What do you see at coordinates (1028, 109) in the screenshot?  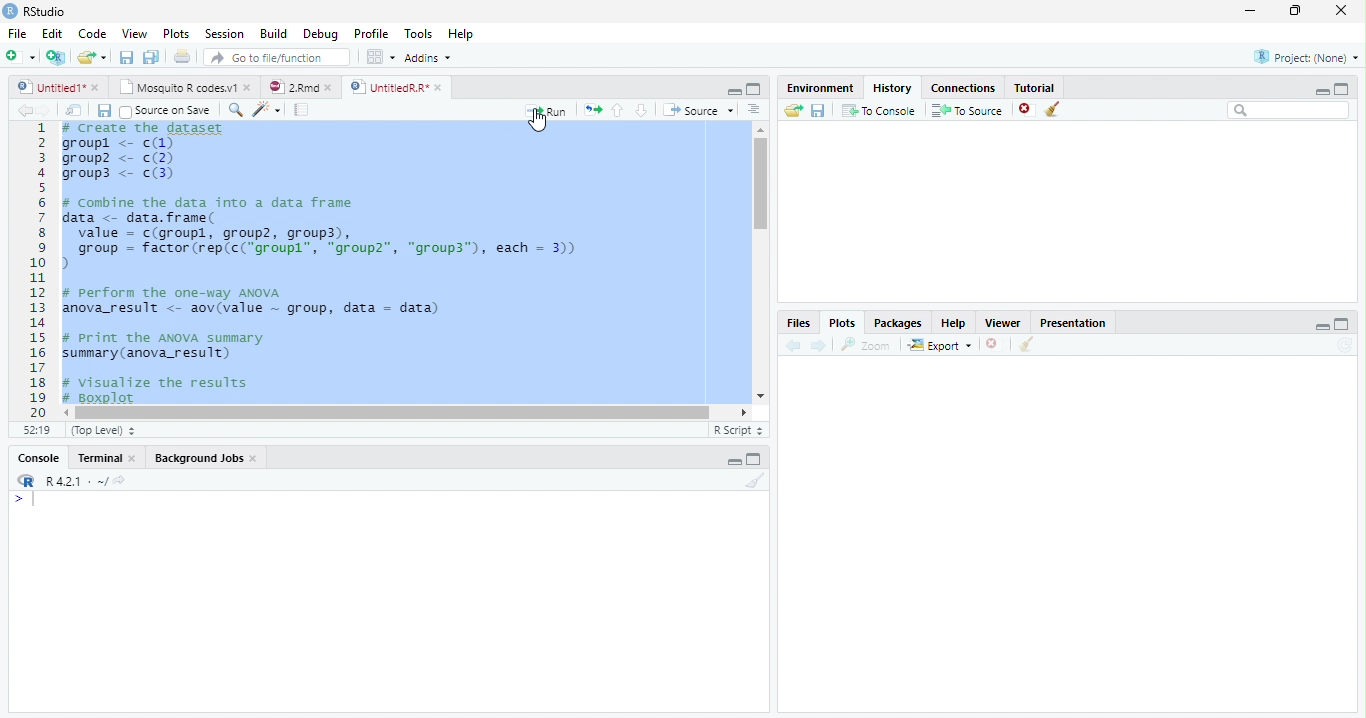 I see `Delete file` at bounding box center [1028, 109].